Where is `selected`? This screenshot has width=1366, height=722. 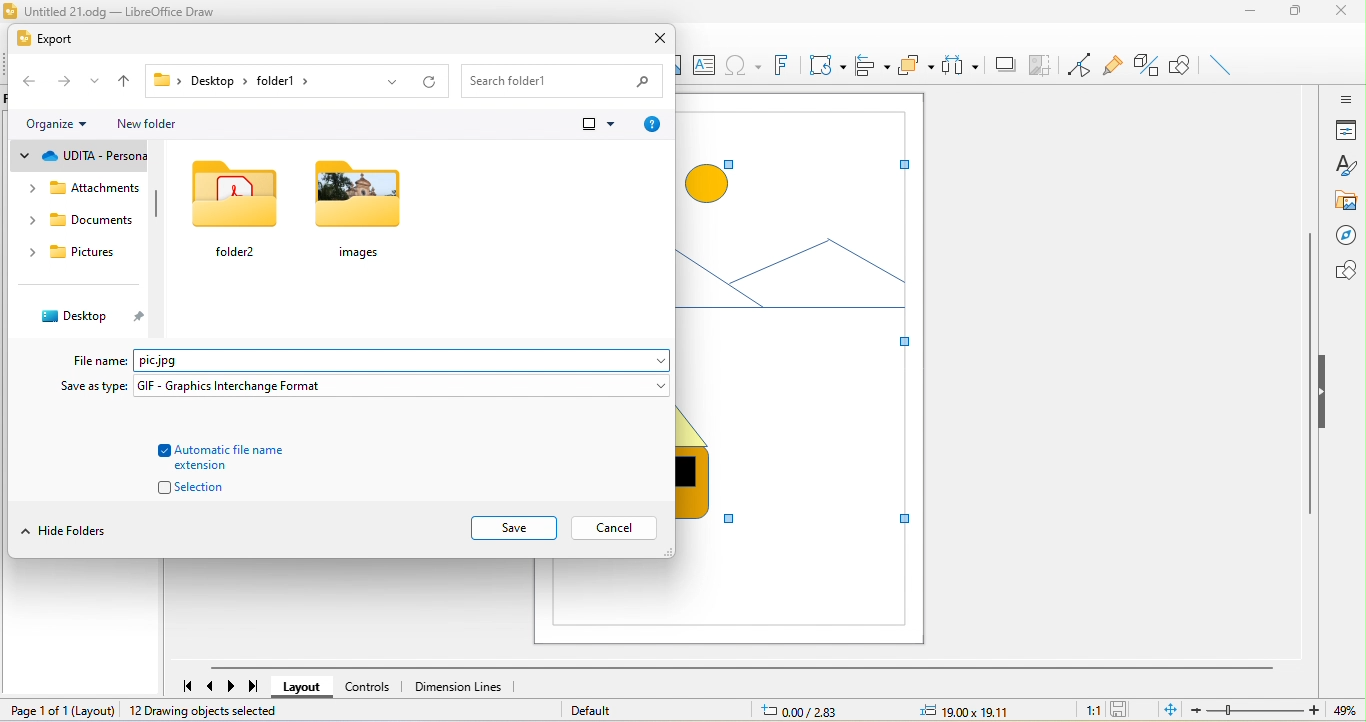
selected is located at coordinates (798, 323).